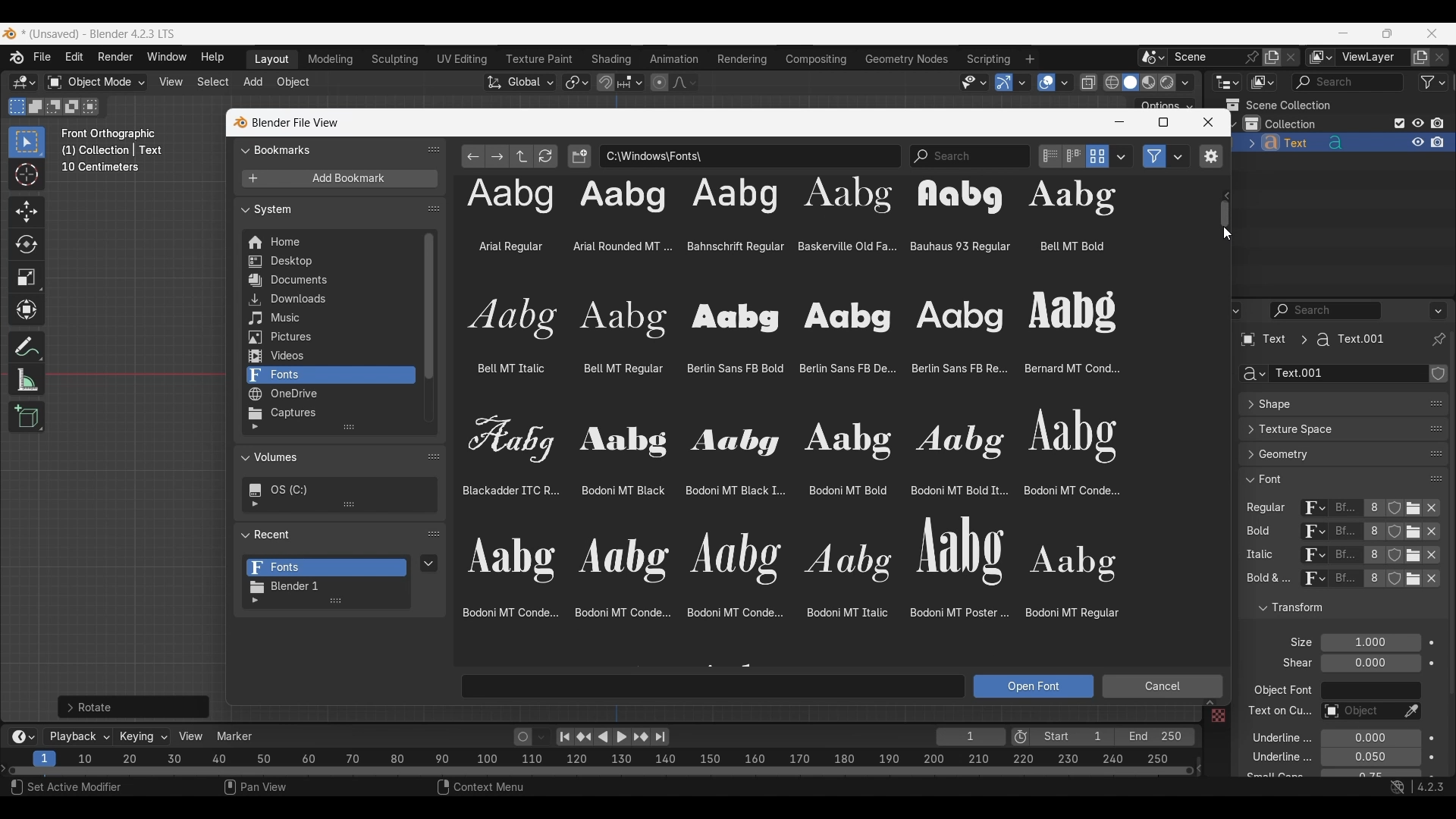 This screenshot has height=819, width=1456. Describe the element at coordinates (329, 149) in the screenshot. I see `Collapse Bookmarks` at that location.